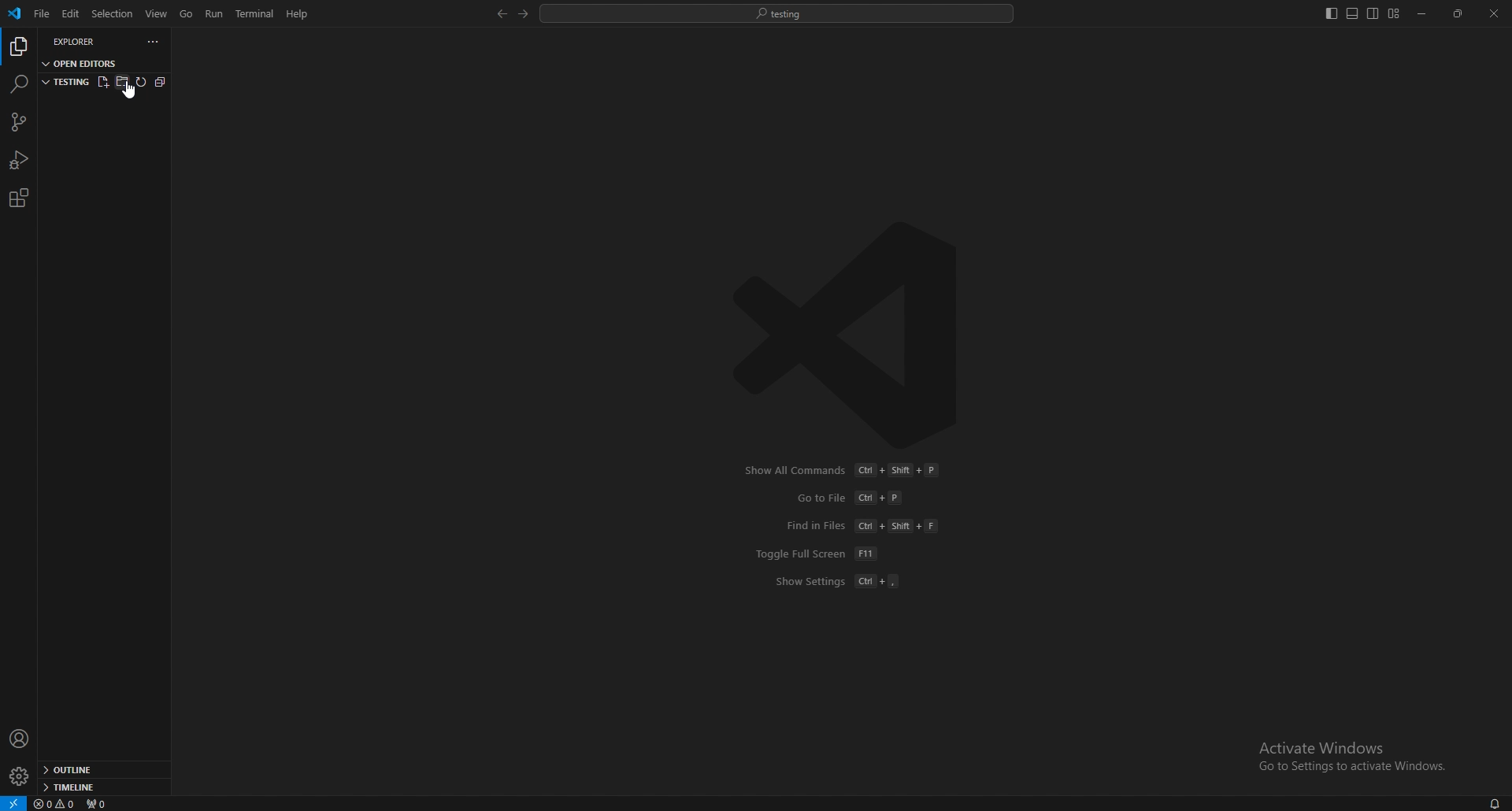 The image size is (1512, 811). What do you see at coordinates (187, 14) in the screenshot?
I see `go` at bounding box center [187, 14].